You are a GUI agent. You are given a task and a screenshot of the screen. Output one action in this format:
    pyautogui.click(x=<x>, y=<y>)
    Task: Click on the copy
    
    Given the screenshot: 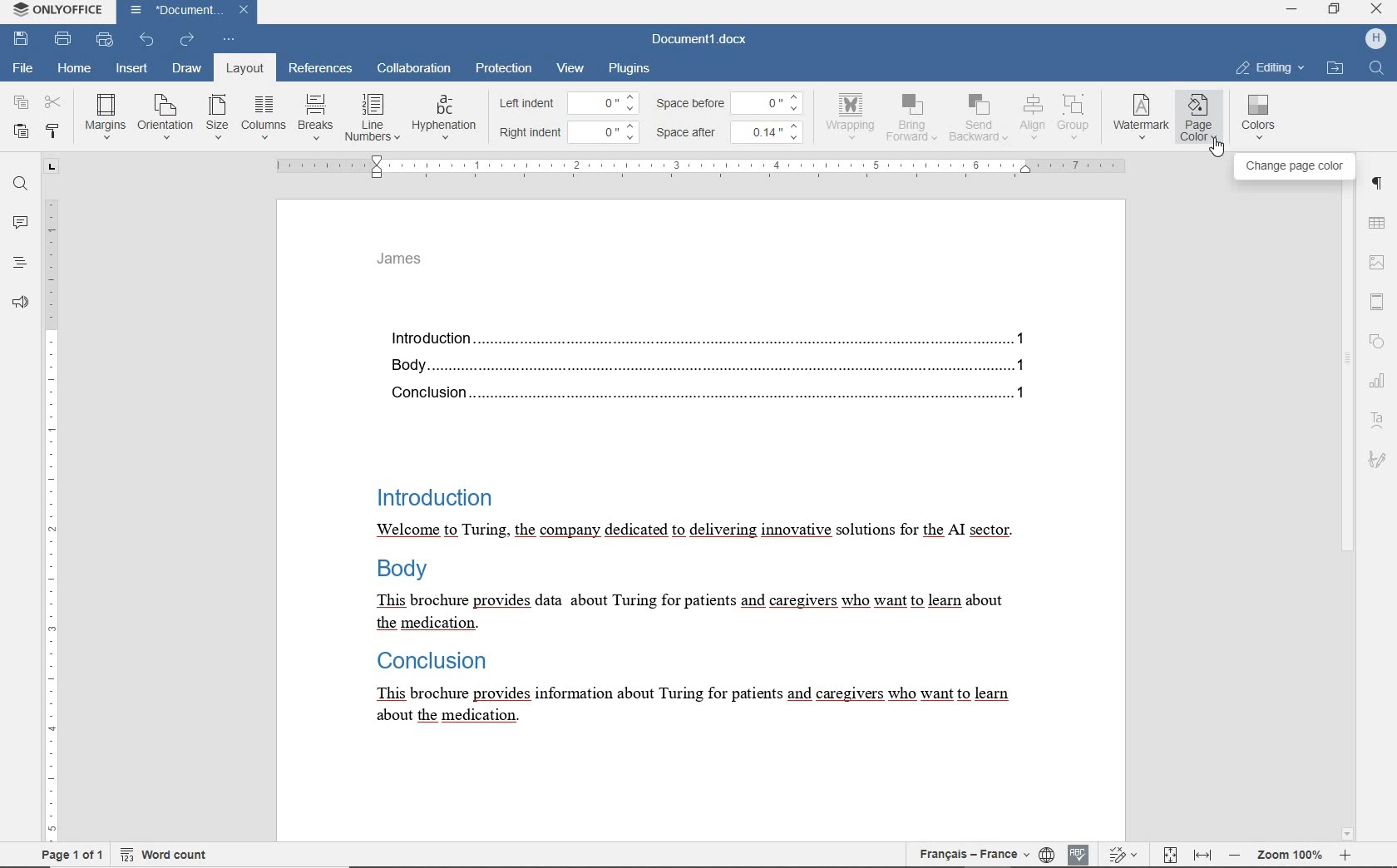 What is the action you would take?
    pyautogui.click(x=23, y=103)
    